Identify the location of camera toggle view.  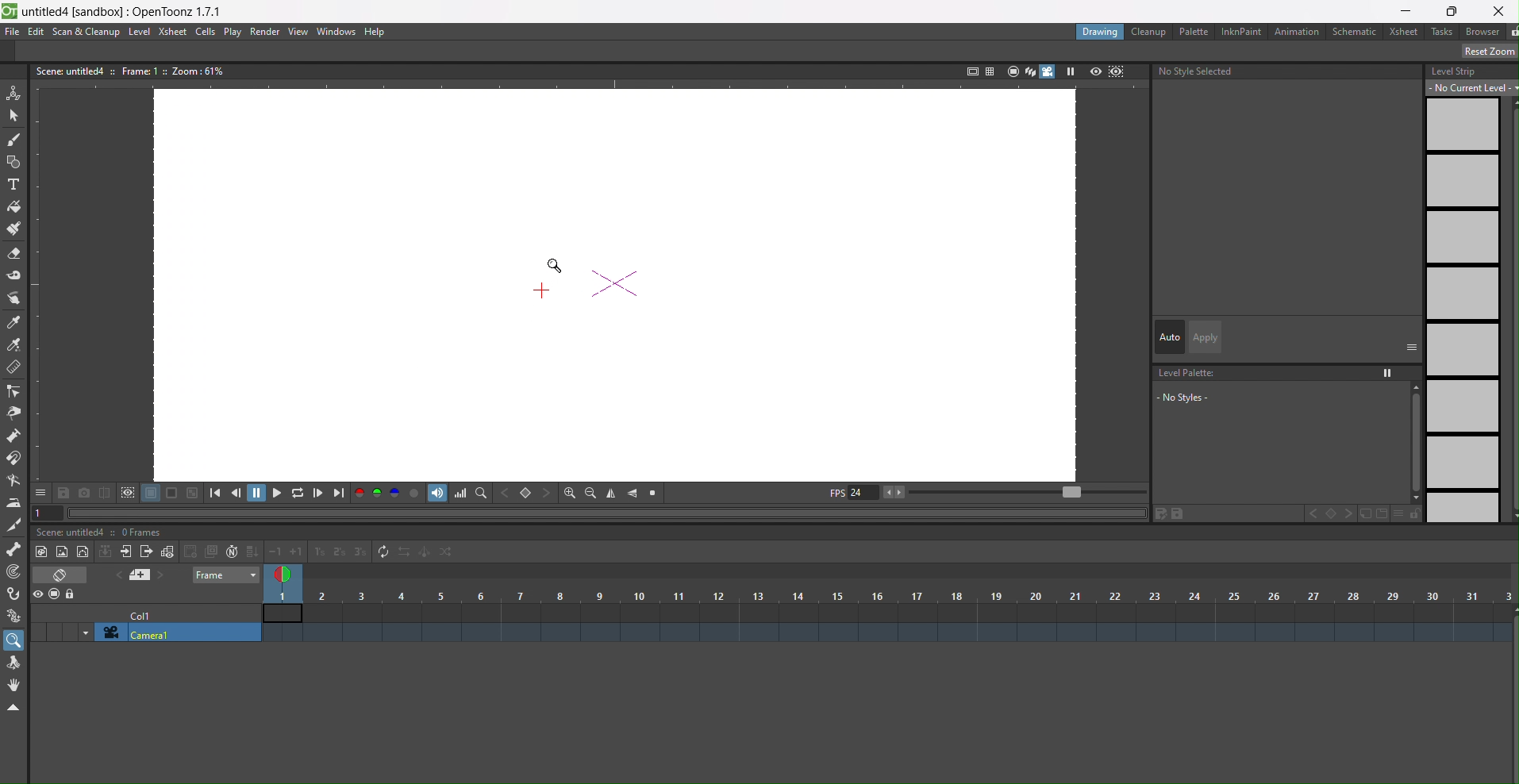
(1050, 73).